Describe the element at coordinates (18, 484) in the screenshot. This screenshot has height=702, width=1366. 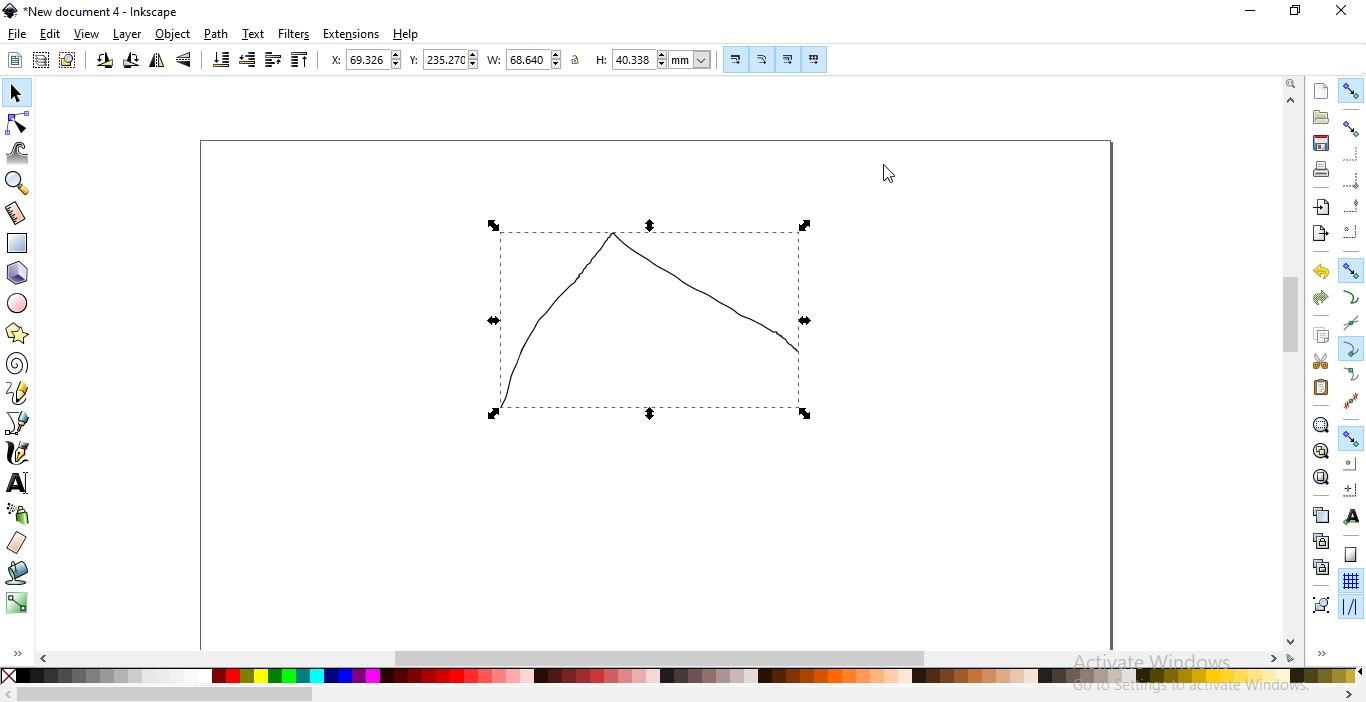
I see `create and edit text` at that location.